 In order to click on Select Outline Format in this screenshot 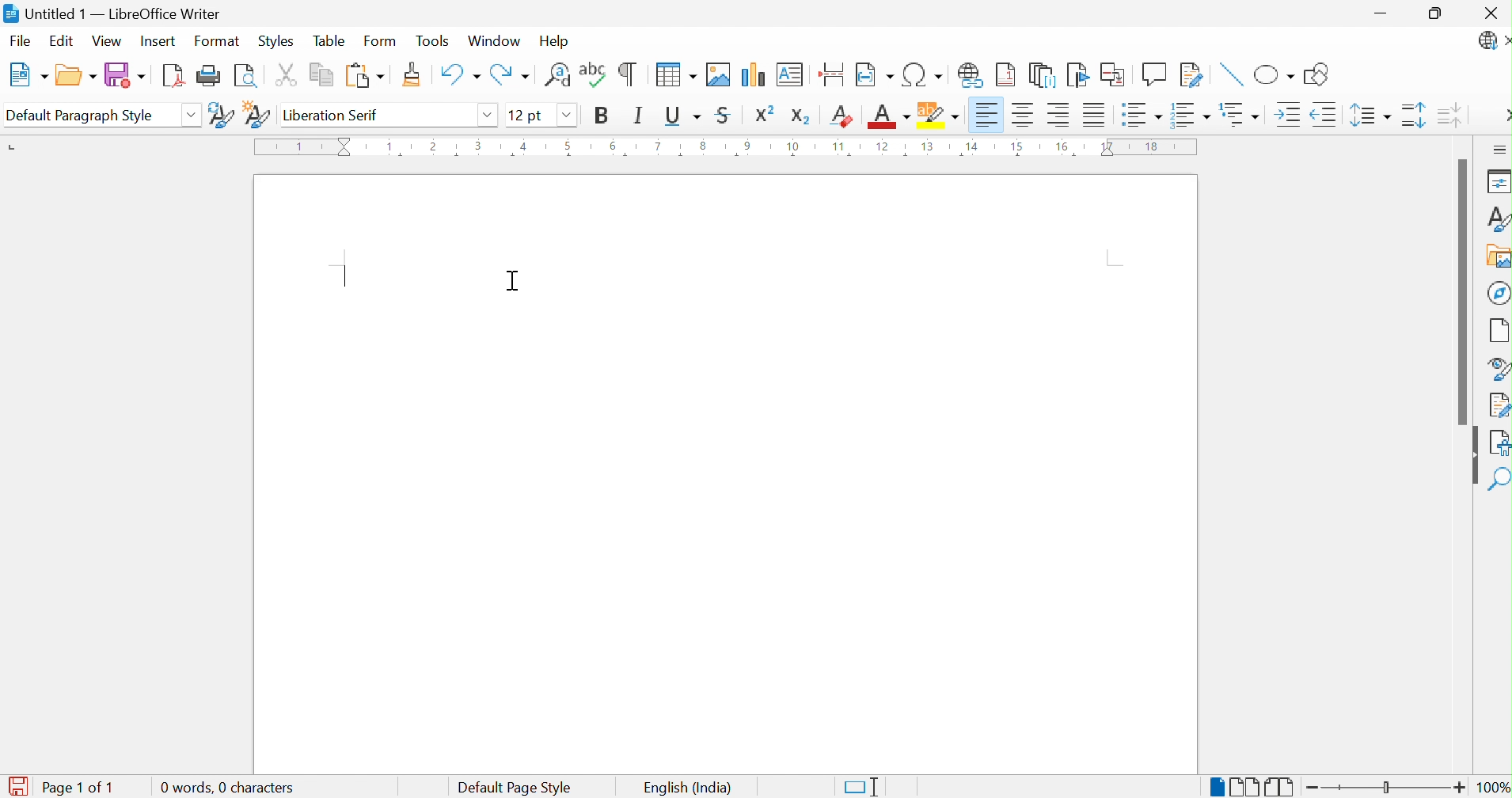, I will do `click(1238, 115)`.